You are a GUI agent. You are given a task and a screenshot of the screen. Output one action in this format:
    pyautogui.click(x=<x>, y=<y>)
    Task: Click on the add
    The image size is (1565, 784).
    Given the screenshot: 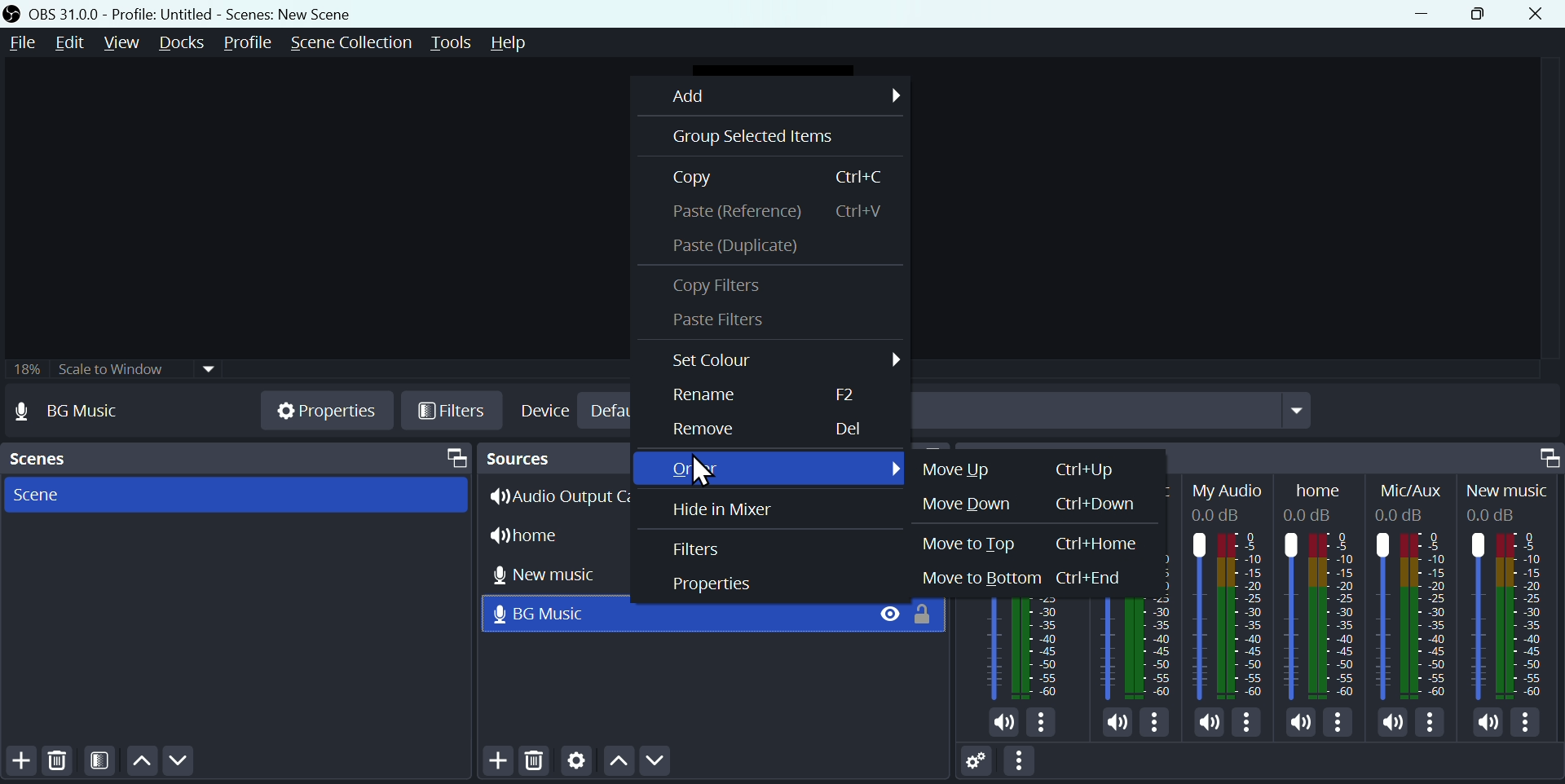 What is the action you would take?
    pyautogui.click(x=494, y=764)
    